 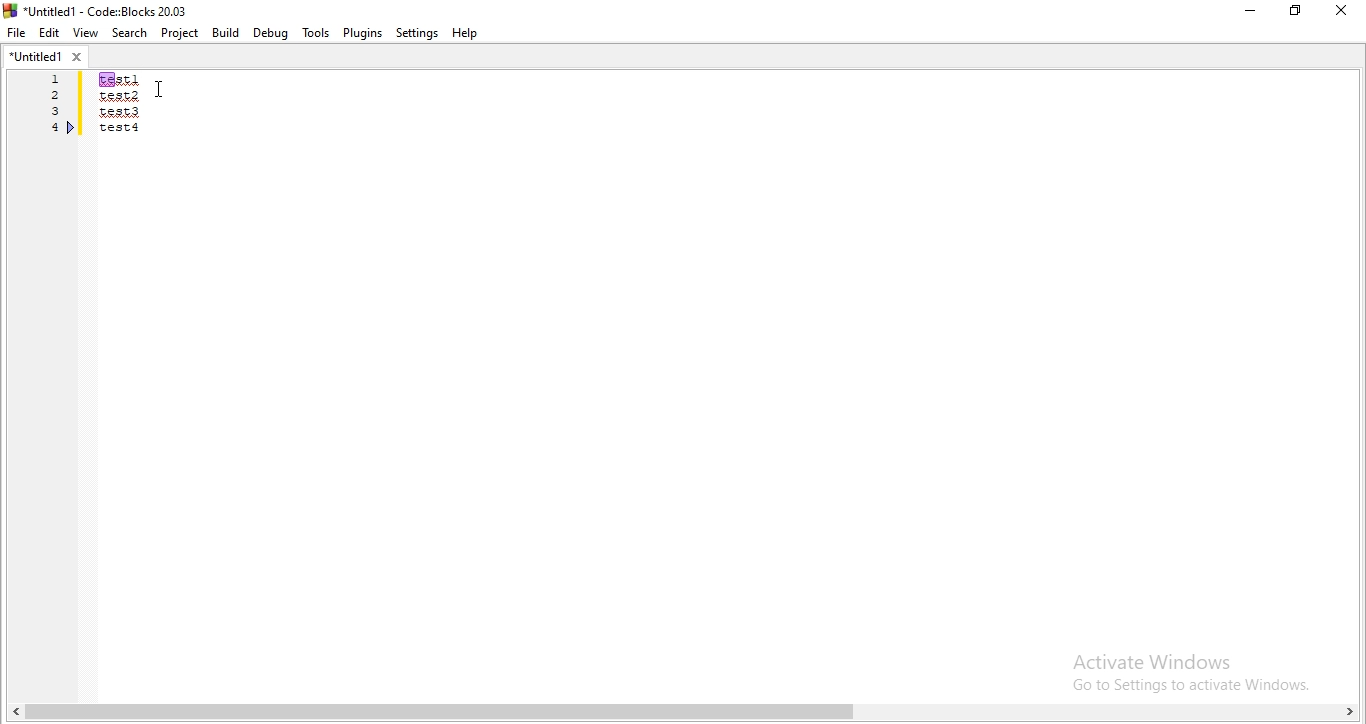 What do you see at coordinates (179, 33) in the screenshot?
I see `Project ` at bounding box center [179, 33].